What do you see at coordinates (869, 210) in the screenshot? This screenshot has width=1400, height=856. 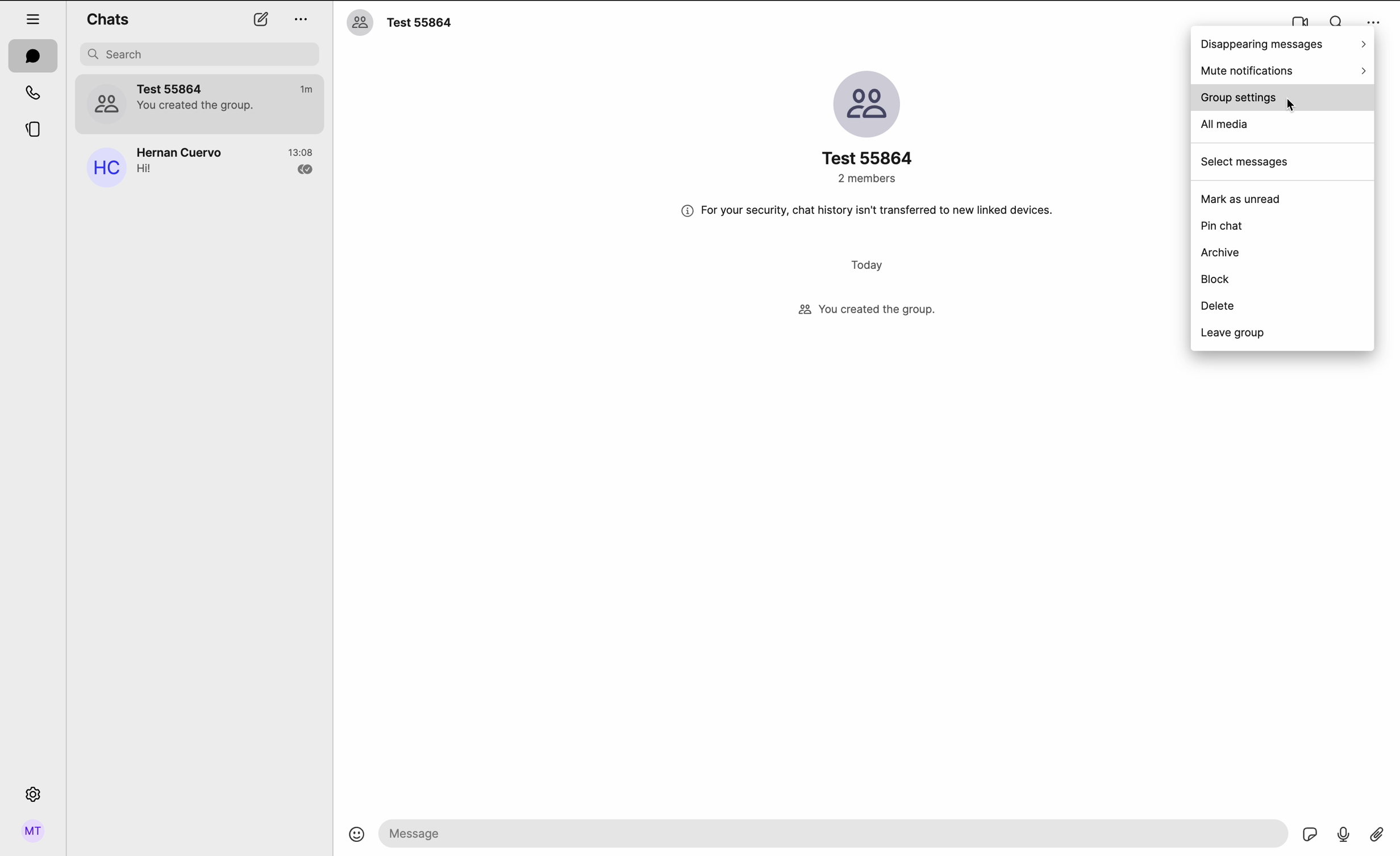 I see `safety message` at bounding box center [869, 210].